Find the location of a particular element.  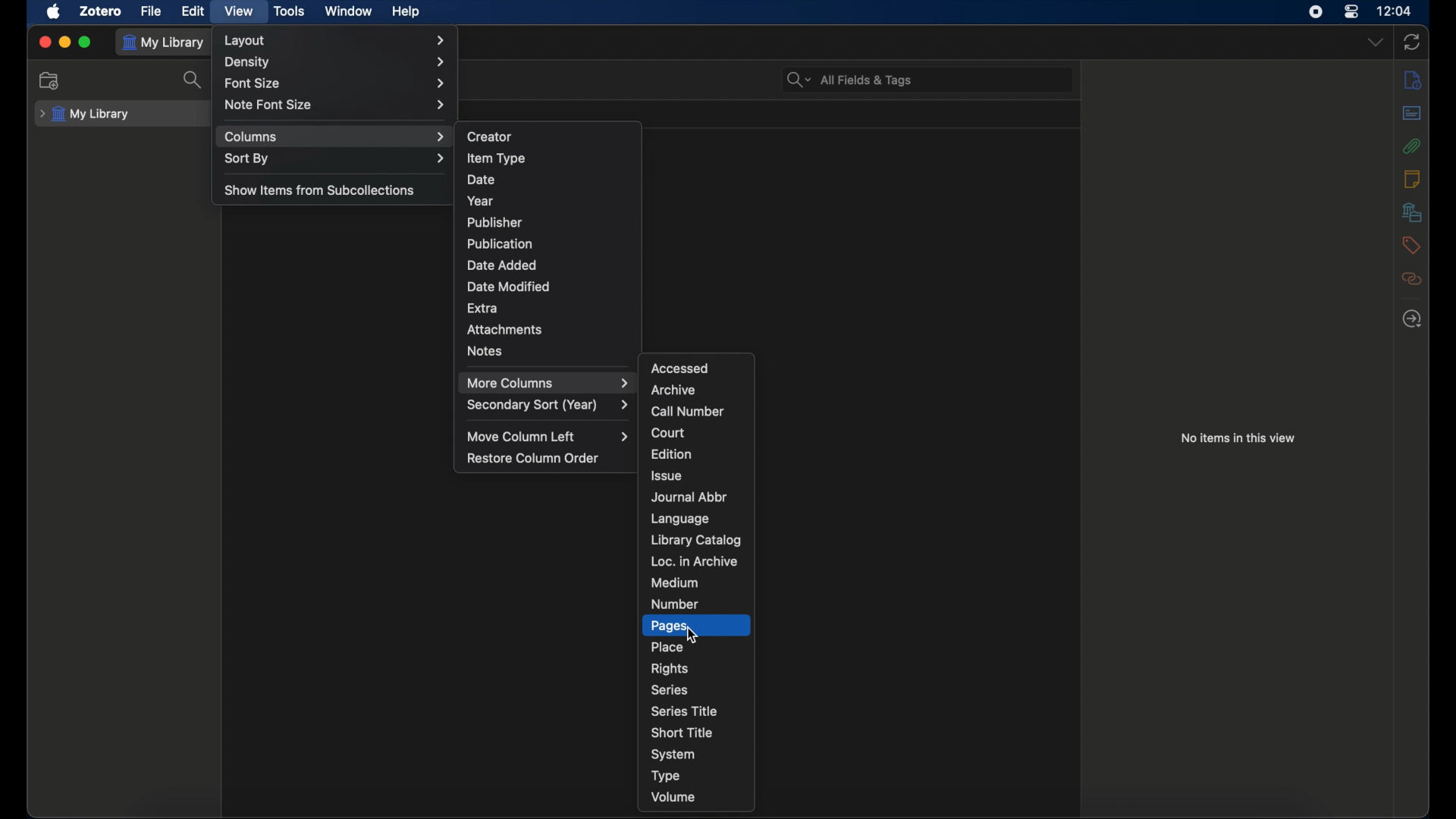

library catalog is located at coordinates (695, 539).